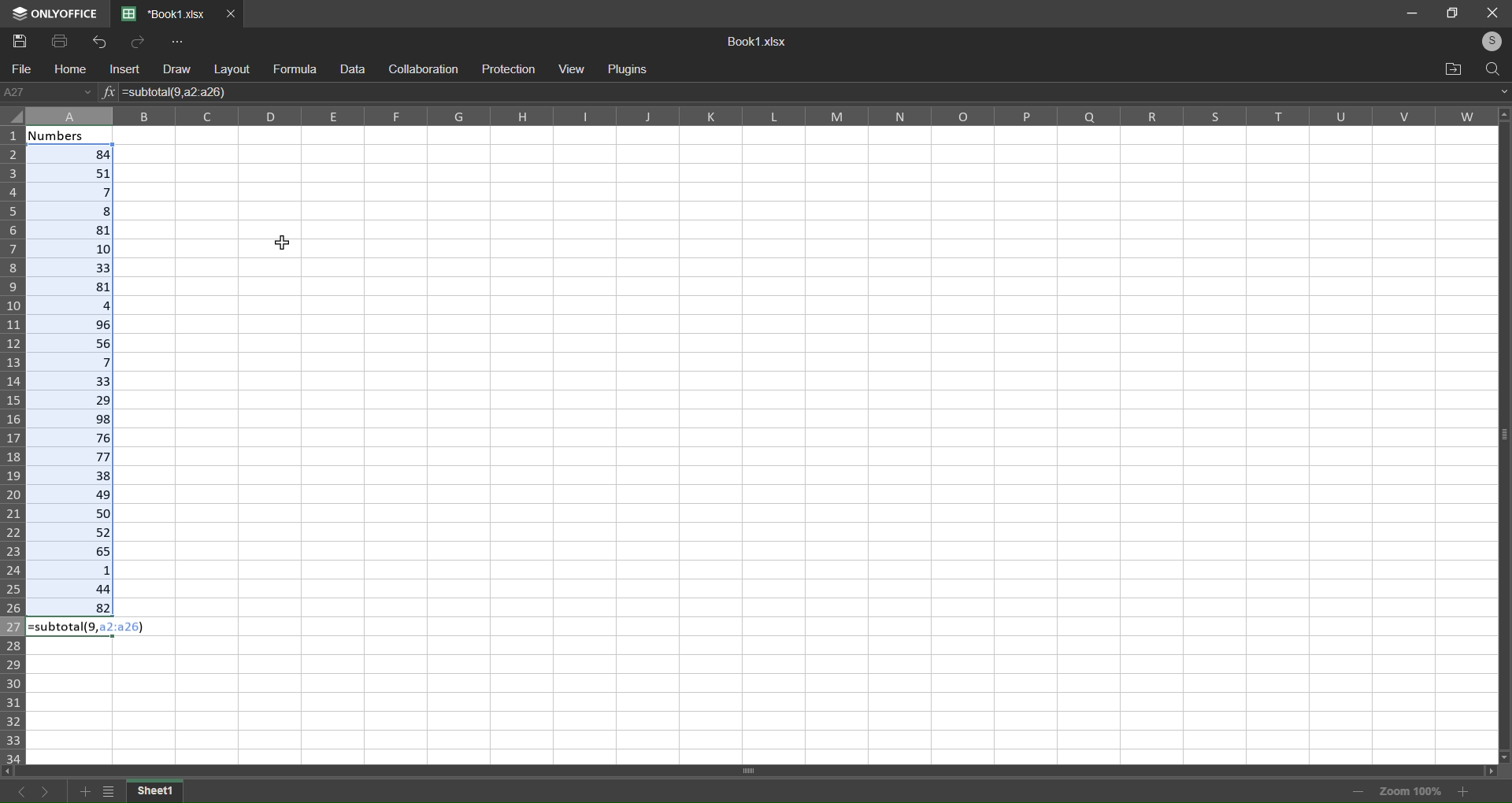 The height and width of the screenshot is (803, 1512). Describe the element at coordinates (179, 92) in the screenshot. I see `=subtotal(9,a2,a26)` at that location.